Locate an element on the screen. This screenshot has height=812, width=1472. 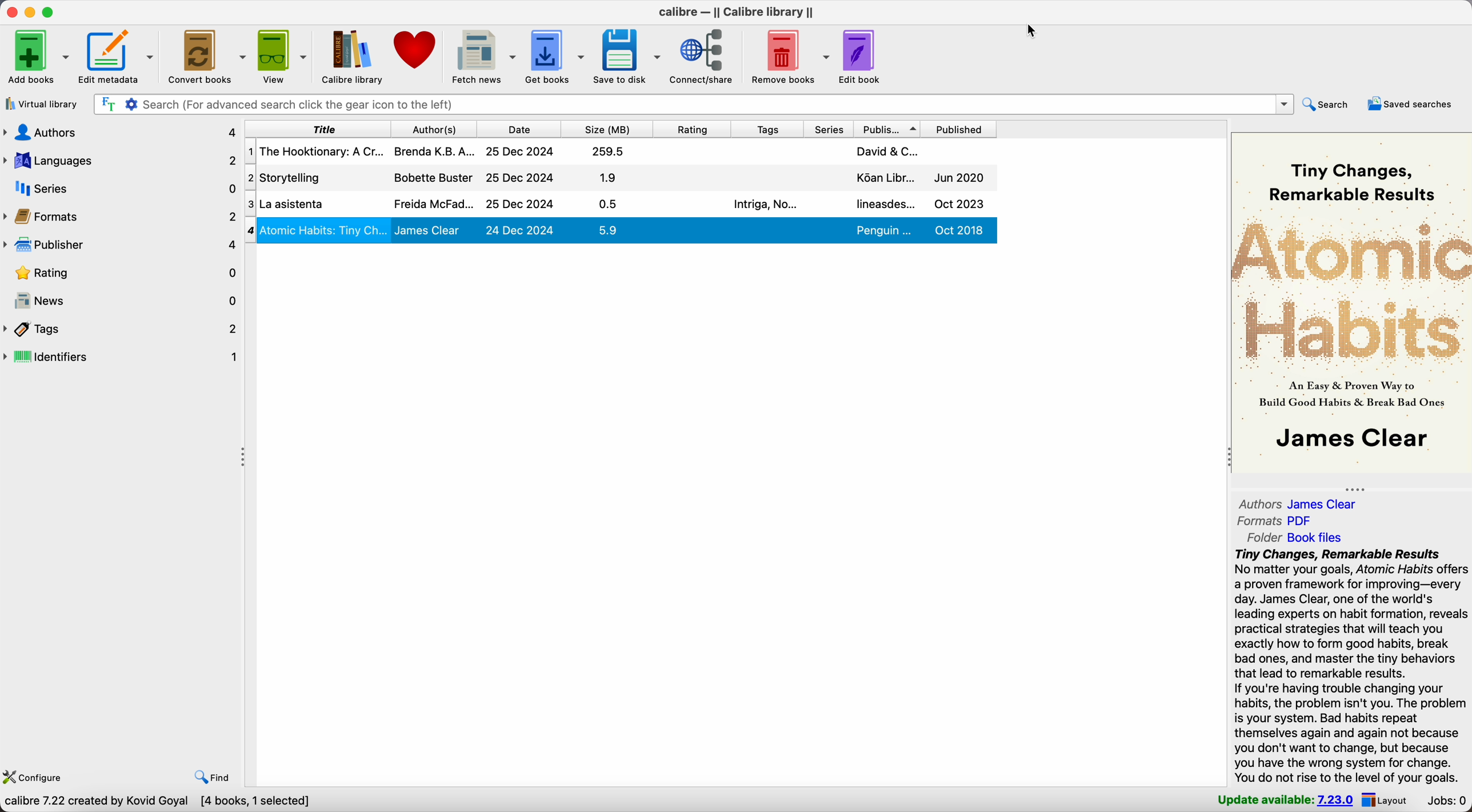
intriga, no... is located at coordinates (762, 205).